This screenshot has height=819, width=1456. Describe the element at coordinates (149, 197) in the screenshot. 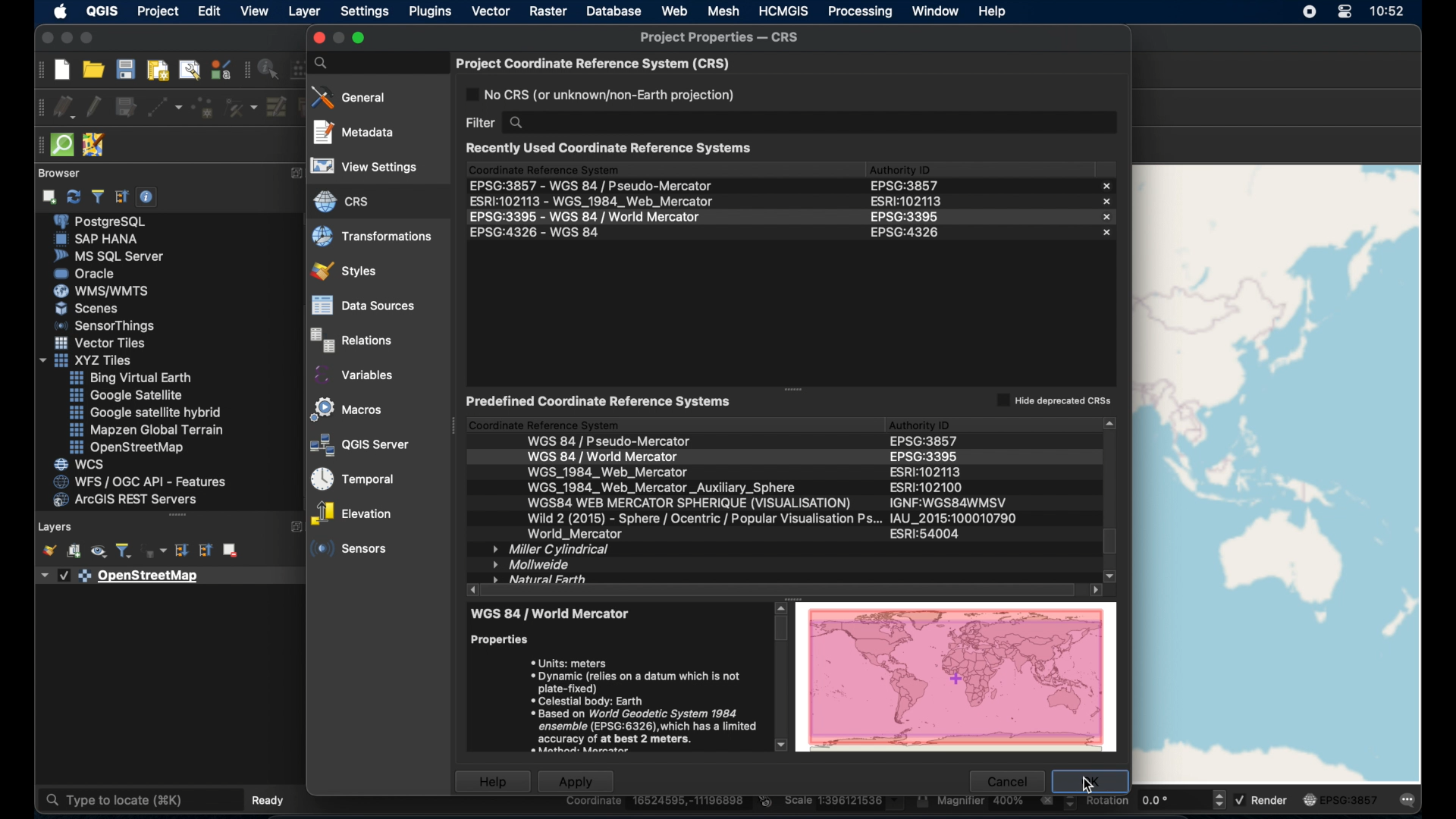

I see `enable/disable properties widget` at that location.